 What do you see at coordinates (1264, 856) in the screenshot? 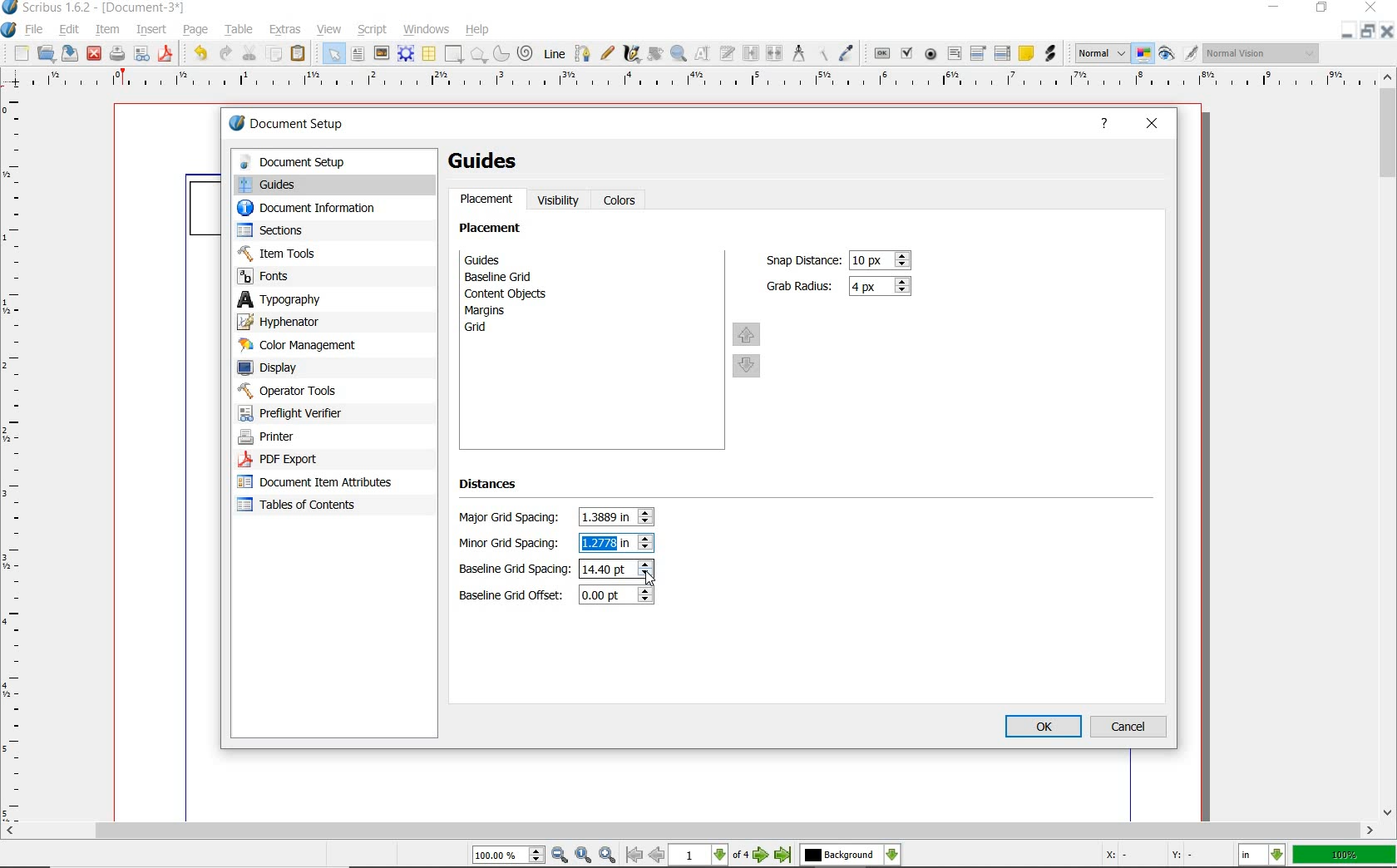
I see `select the current unit` at bounding box center [1264, 856].